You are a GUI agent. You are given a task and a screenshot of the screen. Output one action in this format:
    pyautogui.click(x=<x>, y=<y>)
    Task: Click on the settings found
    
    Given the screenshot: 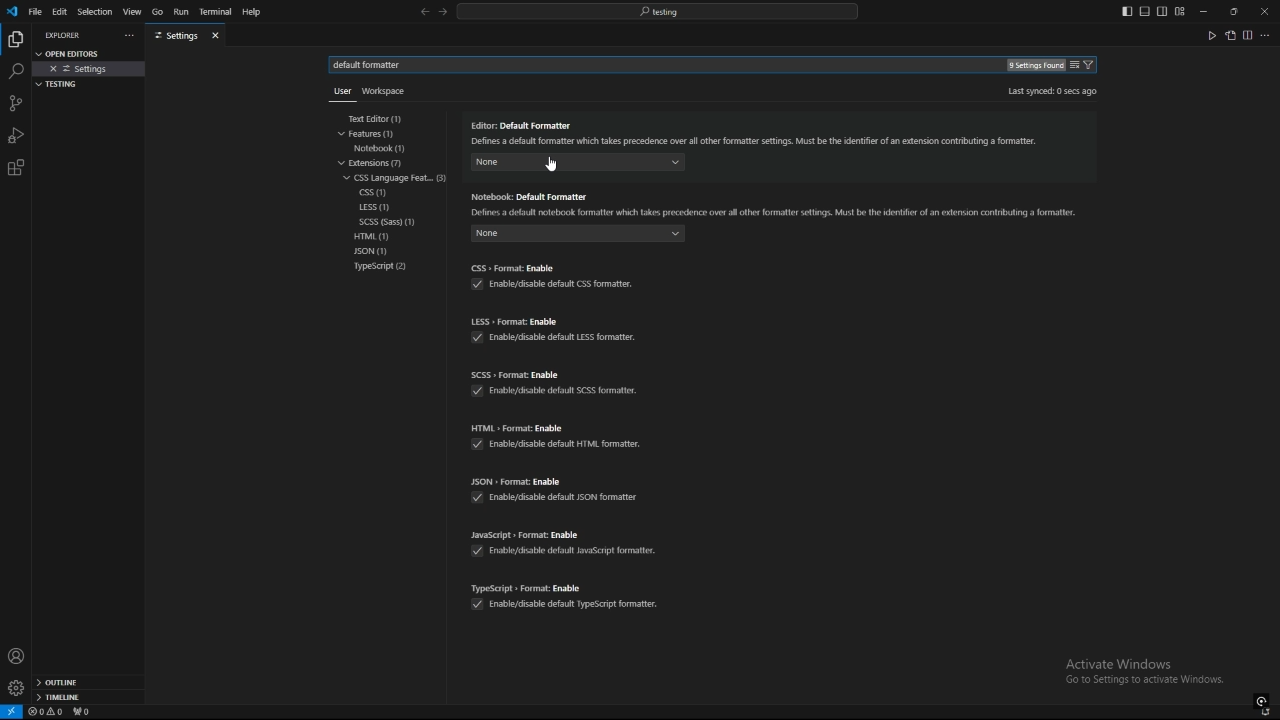 What is the action you would take?
    pyautogui.click(x=1034, y=66)
    